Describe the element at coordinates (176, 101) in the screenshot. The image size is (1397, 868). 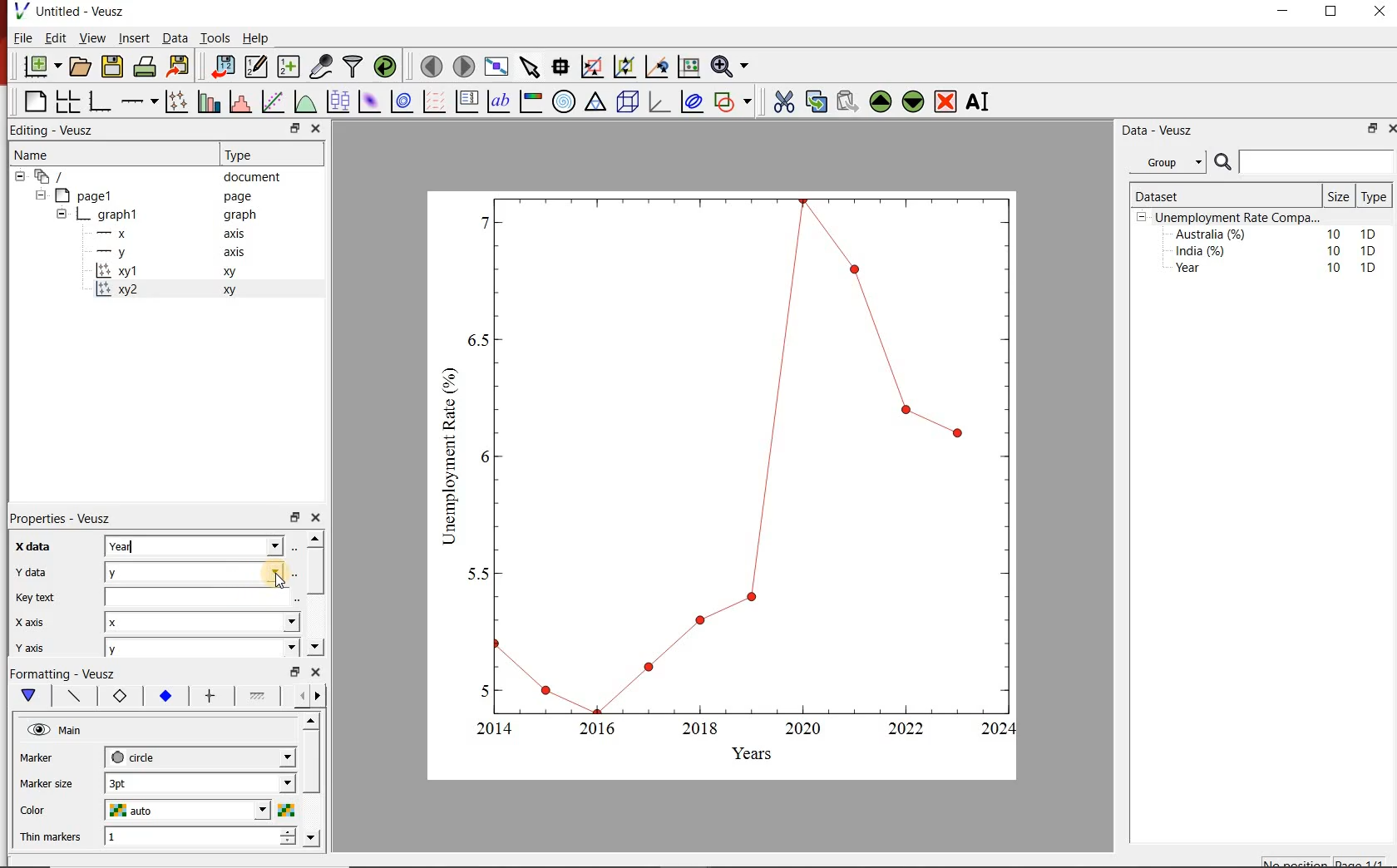
I see `plot points with lines and errorbars` at that location.